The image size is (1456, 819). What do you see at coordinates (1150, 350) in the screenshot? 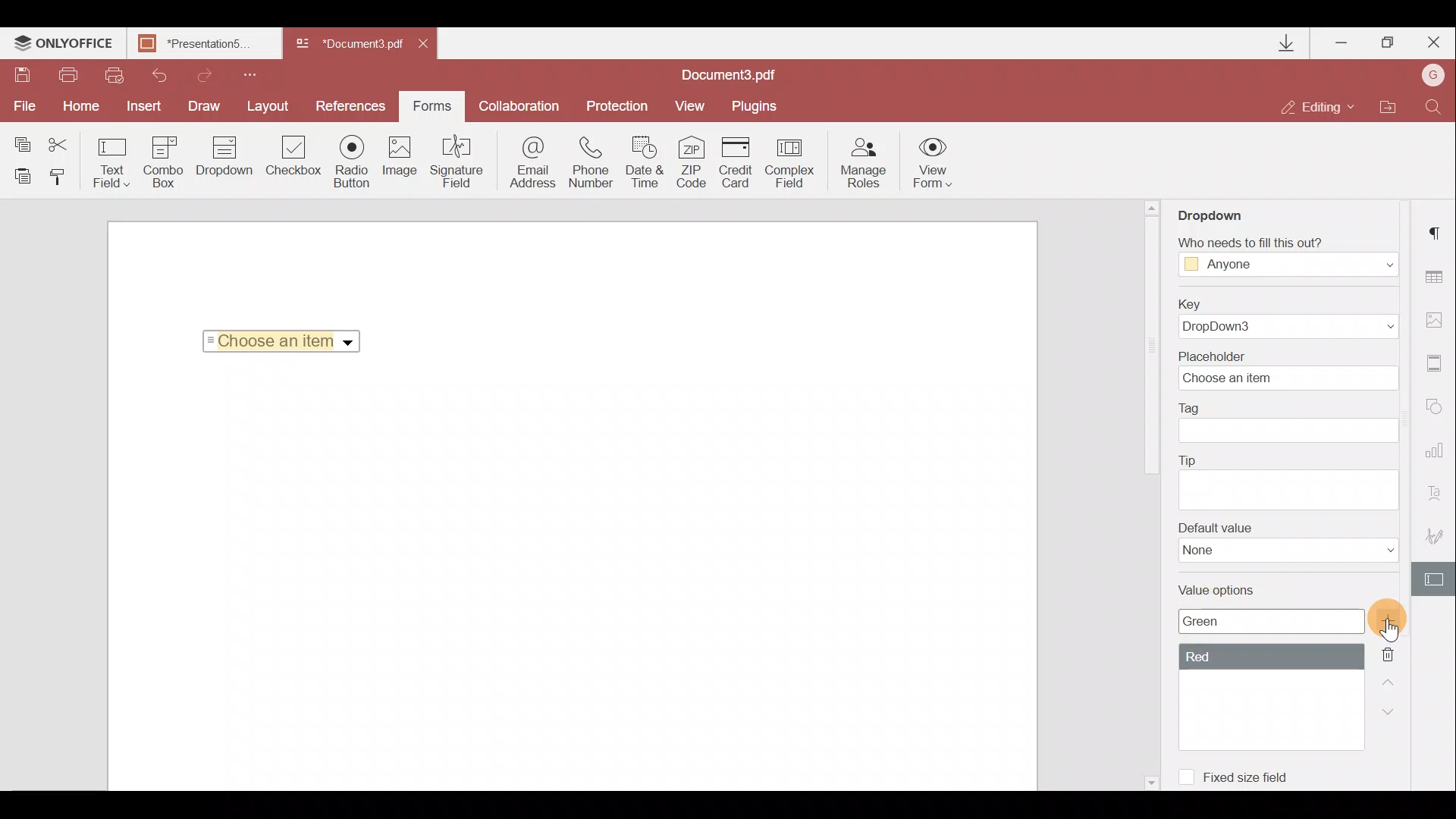
I see `Scroll bar` at bounding box center [1150, 350].